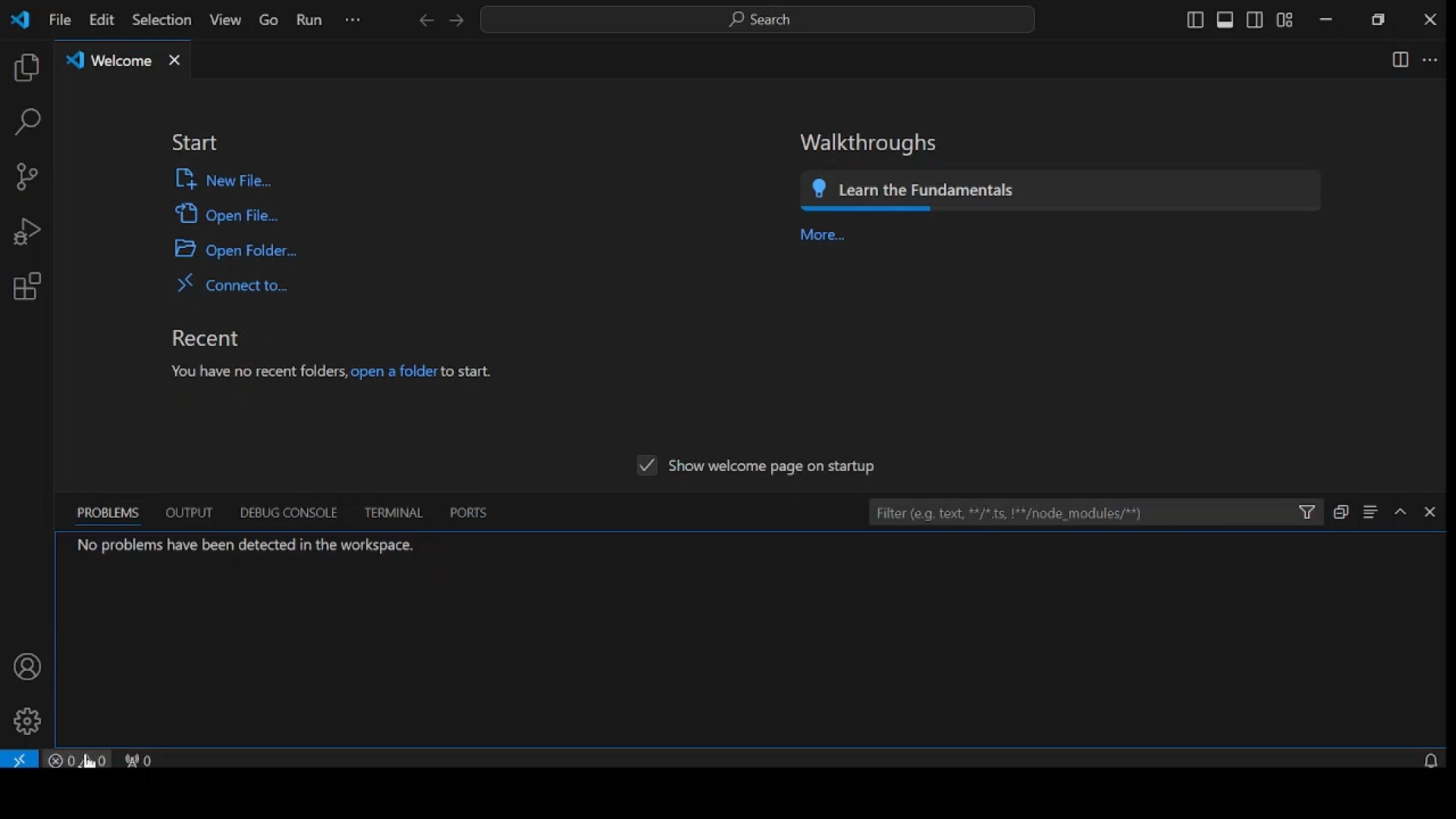 This screenshot has width=1456, height=819. Describe the element at coordinates (1225, 20) in the screenshot. I see `toggle panel` at that location.